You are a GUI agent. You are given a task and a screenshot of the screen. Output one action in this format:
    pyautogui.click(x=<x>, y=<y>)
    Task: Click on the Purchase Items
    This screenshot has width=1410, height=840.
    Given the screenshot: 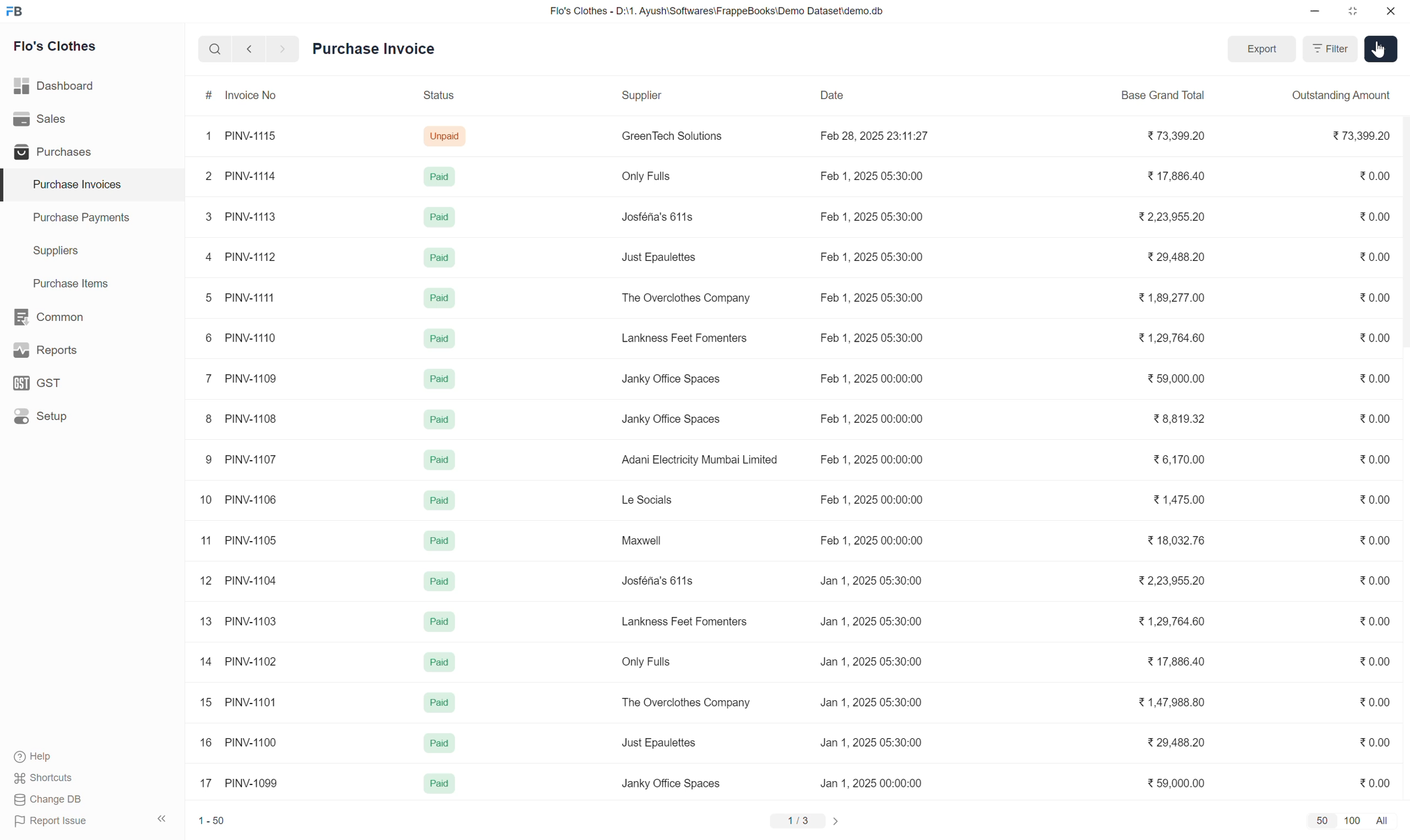 What is the action you would take?
    pyautogui.click(x=65, y=281)
    